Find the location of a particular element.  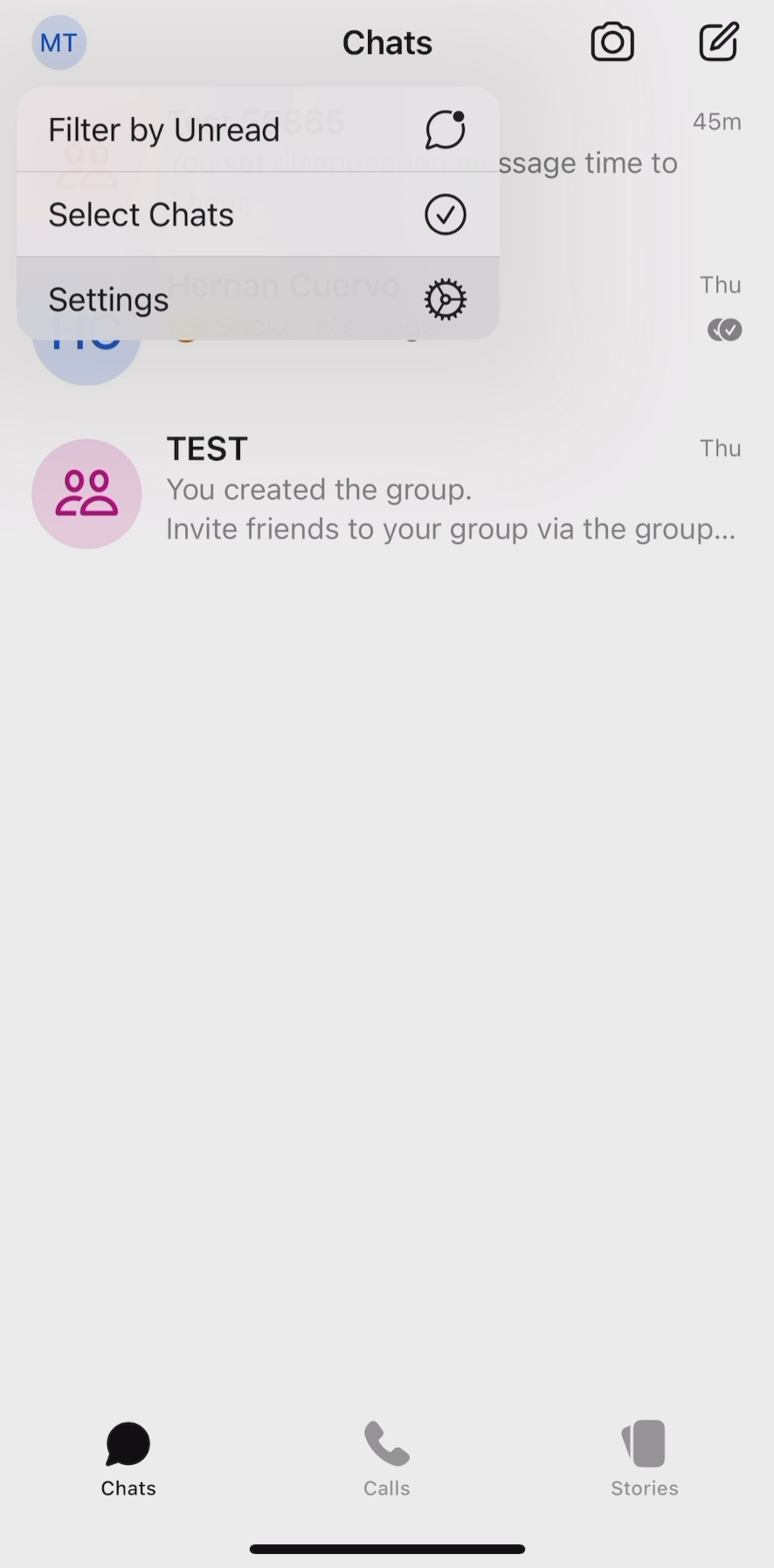

settings selected is located at coordinates (259, 299).